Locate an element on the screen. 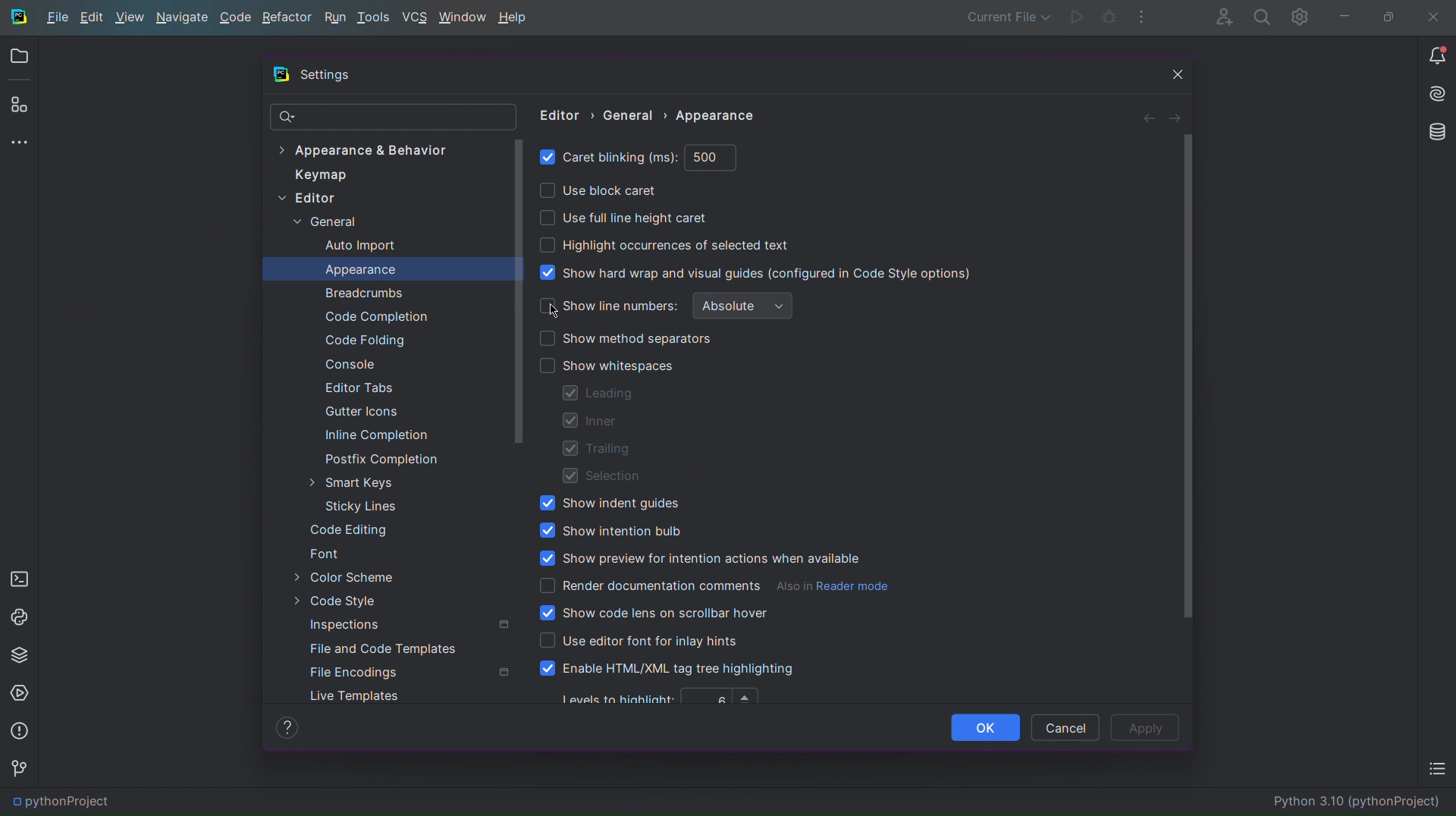 The width and height of the screenshot is (1456, 816). Keymap is located at coordinates (318, 175).